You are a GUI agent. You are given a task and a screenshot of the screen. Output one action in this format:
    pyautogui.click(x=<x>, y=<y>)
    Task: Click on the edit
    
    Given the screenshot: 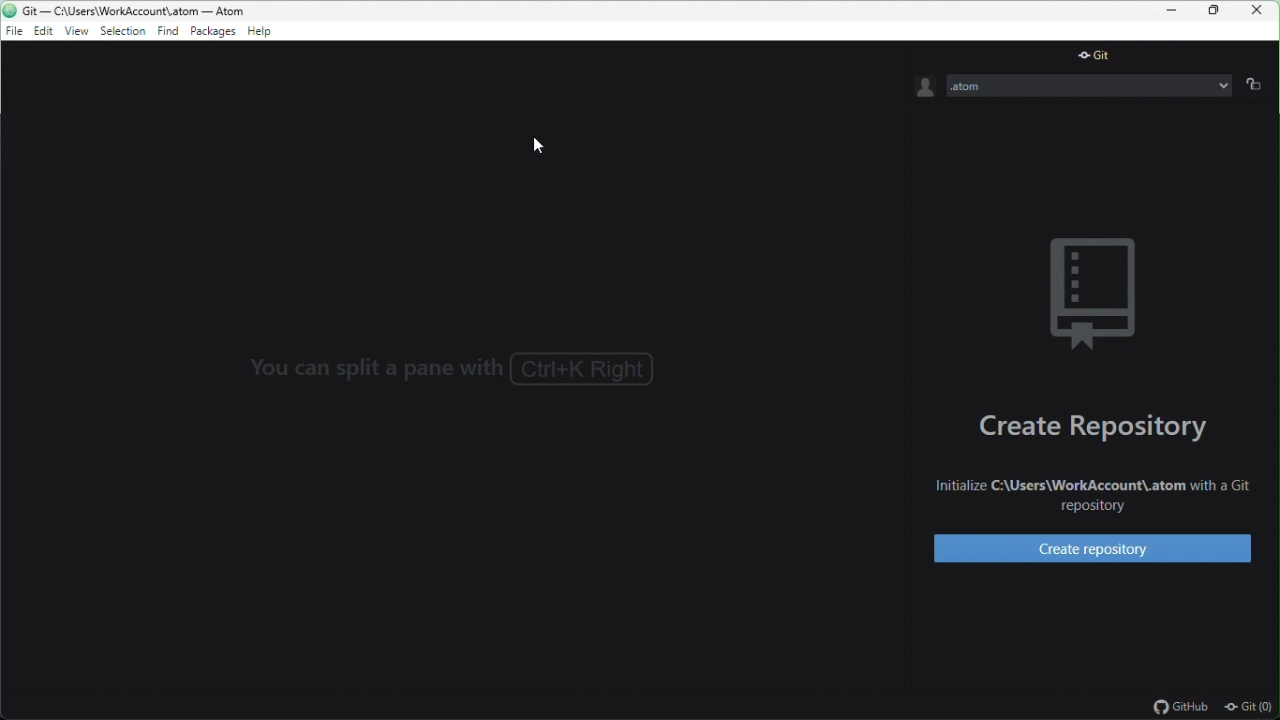 What is the action you would take?
    pyautogui.click(x=46, y=32)
    